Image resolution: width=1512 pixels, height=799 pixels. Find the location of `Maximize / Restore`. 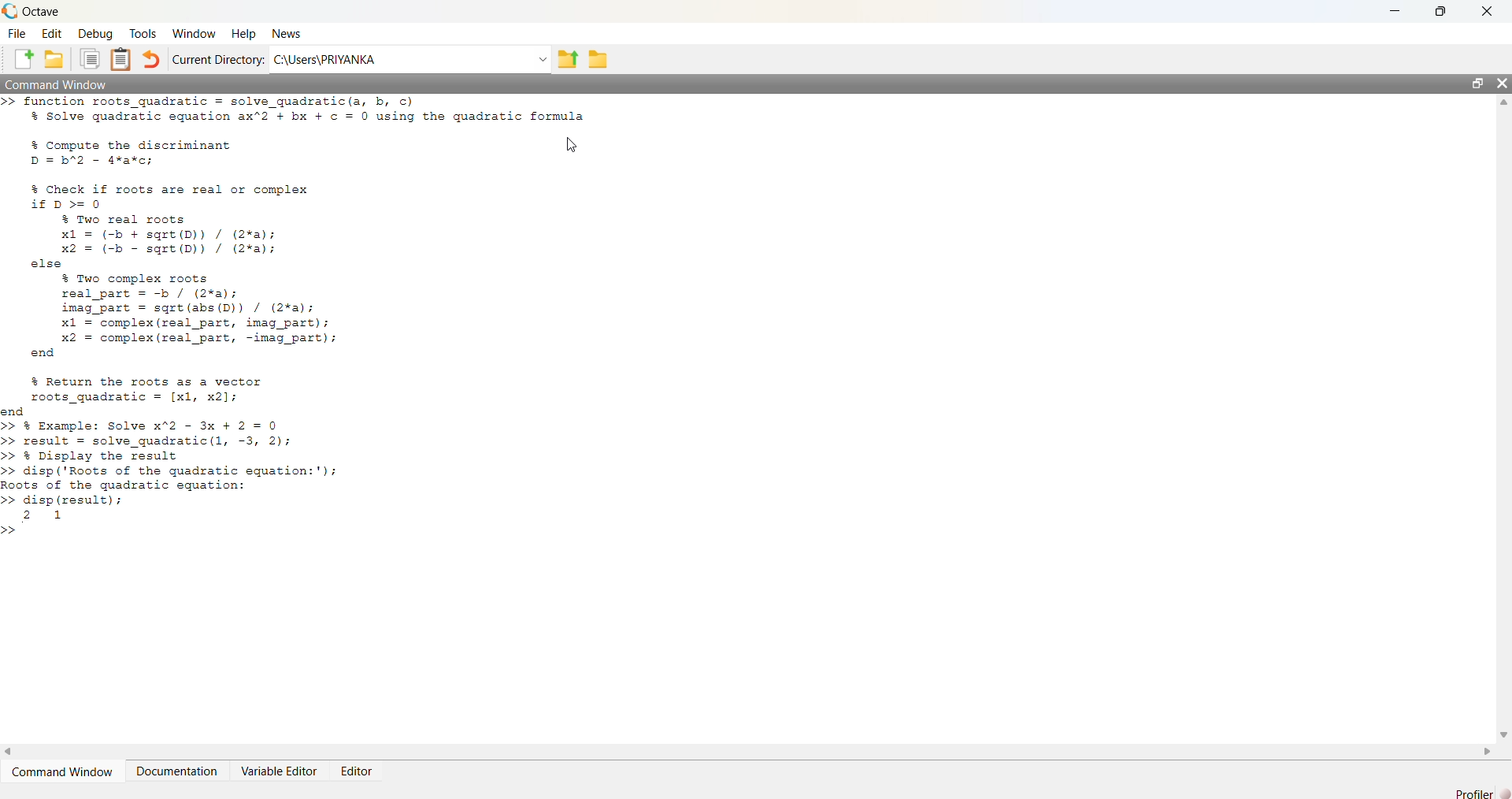

Maximize / Restore is located at coordinates (1480, 84).